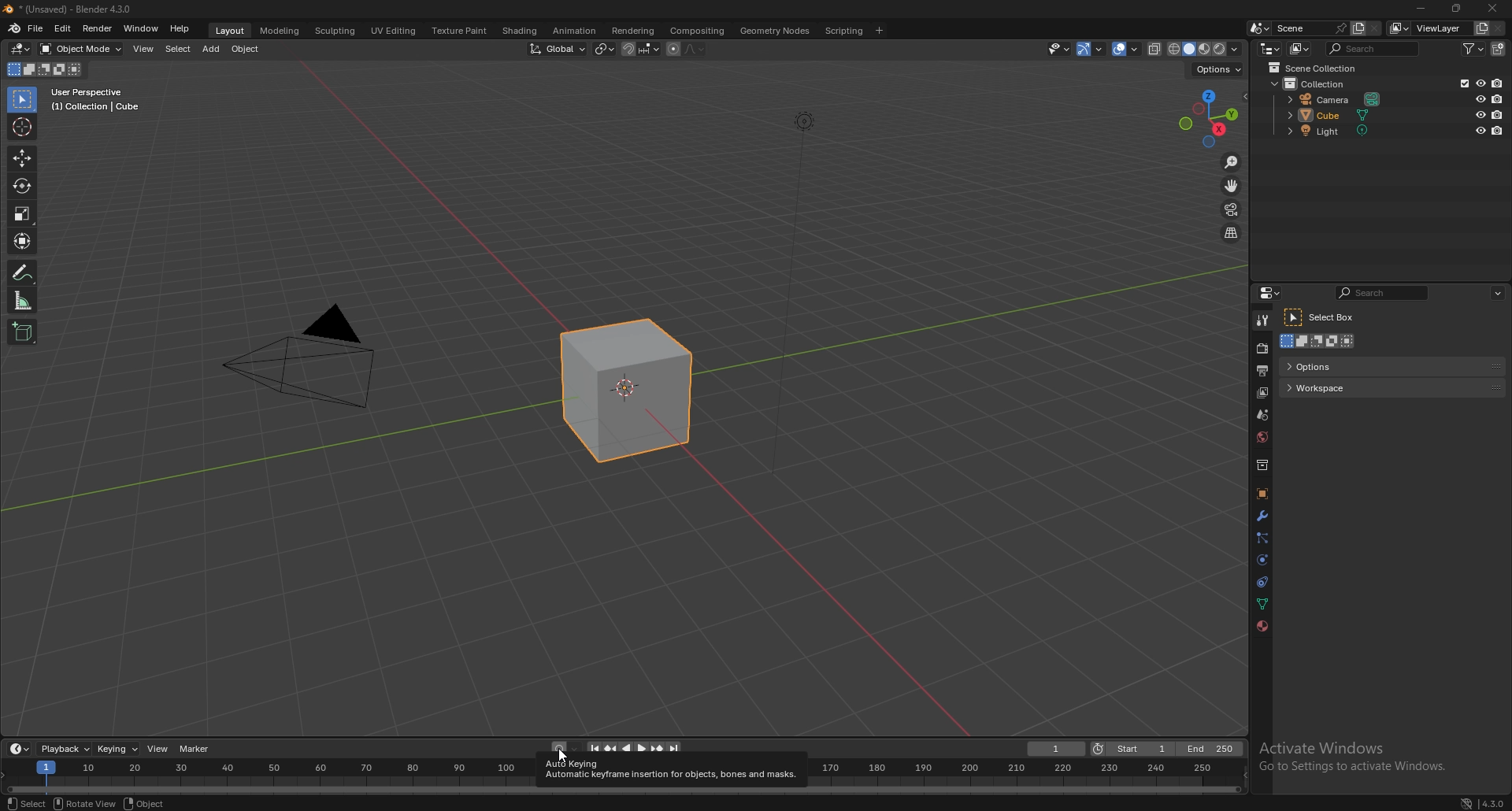  I want to click on select, so click(179, 49).